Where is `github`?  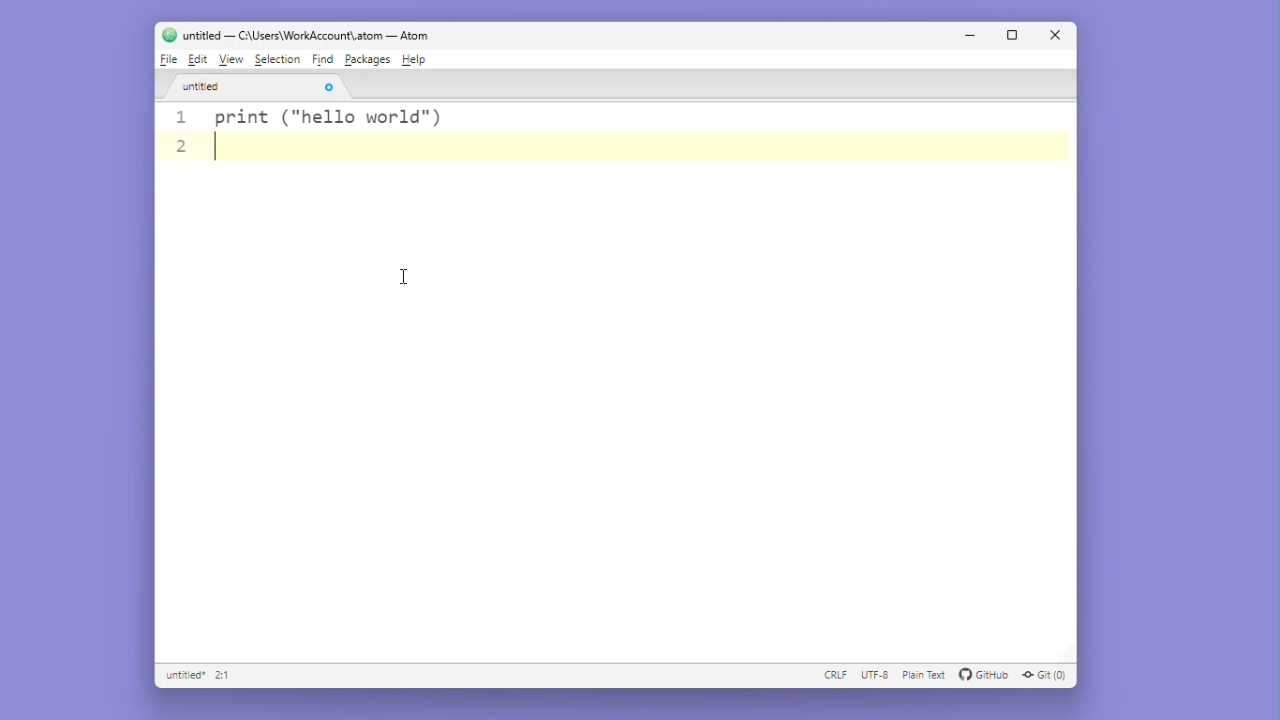
github is located at coordinates (985, 676).